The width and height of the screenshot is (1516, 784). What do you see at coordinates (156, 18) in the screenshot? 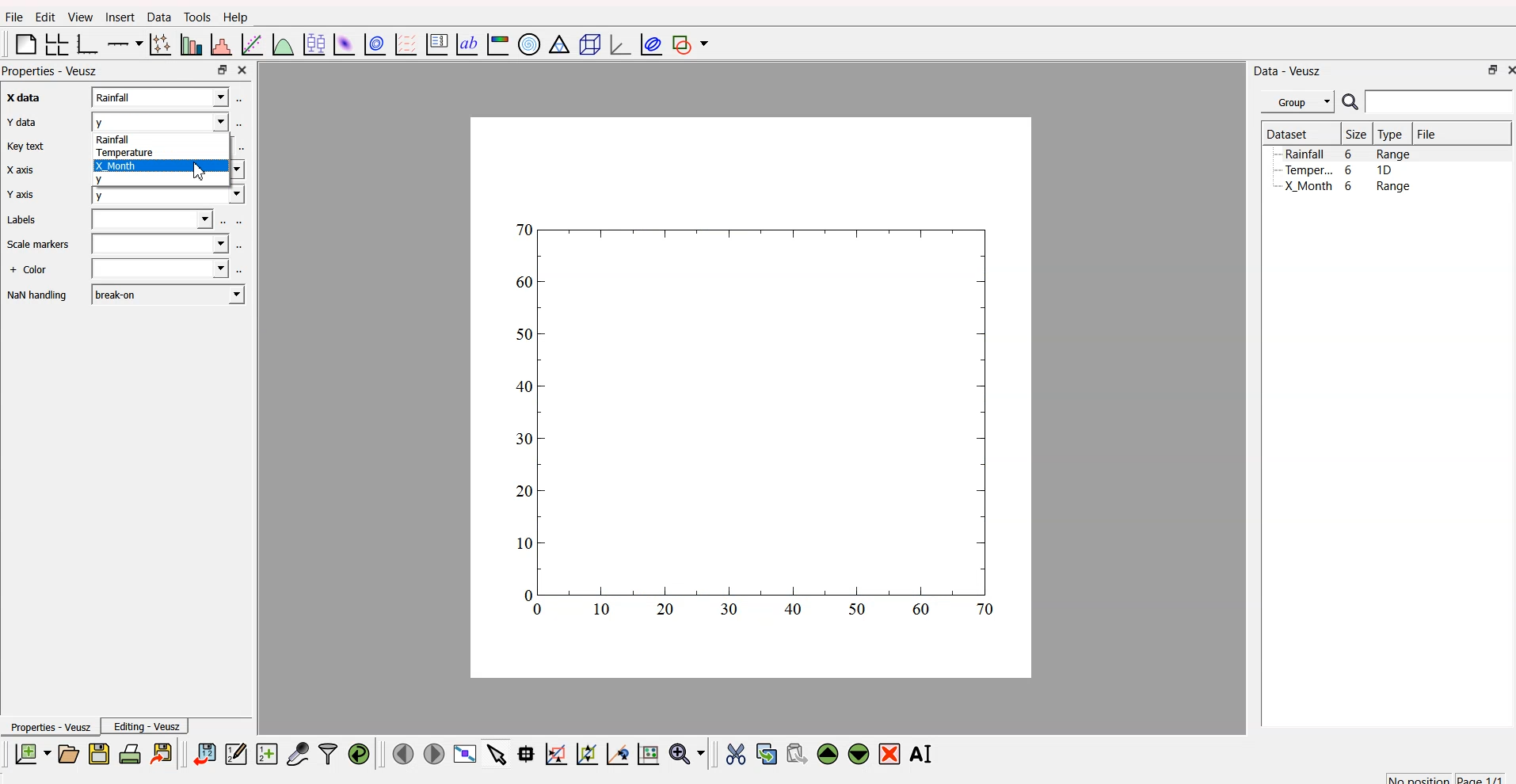
I see `Data` at bounding box center [156, 18].